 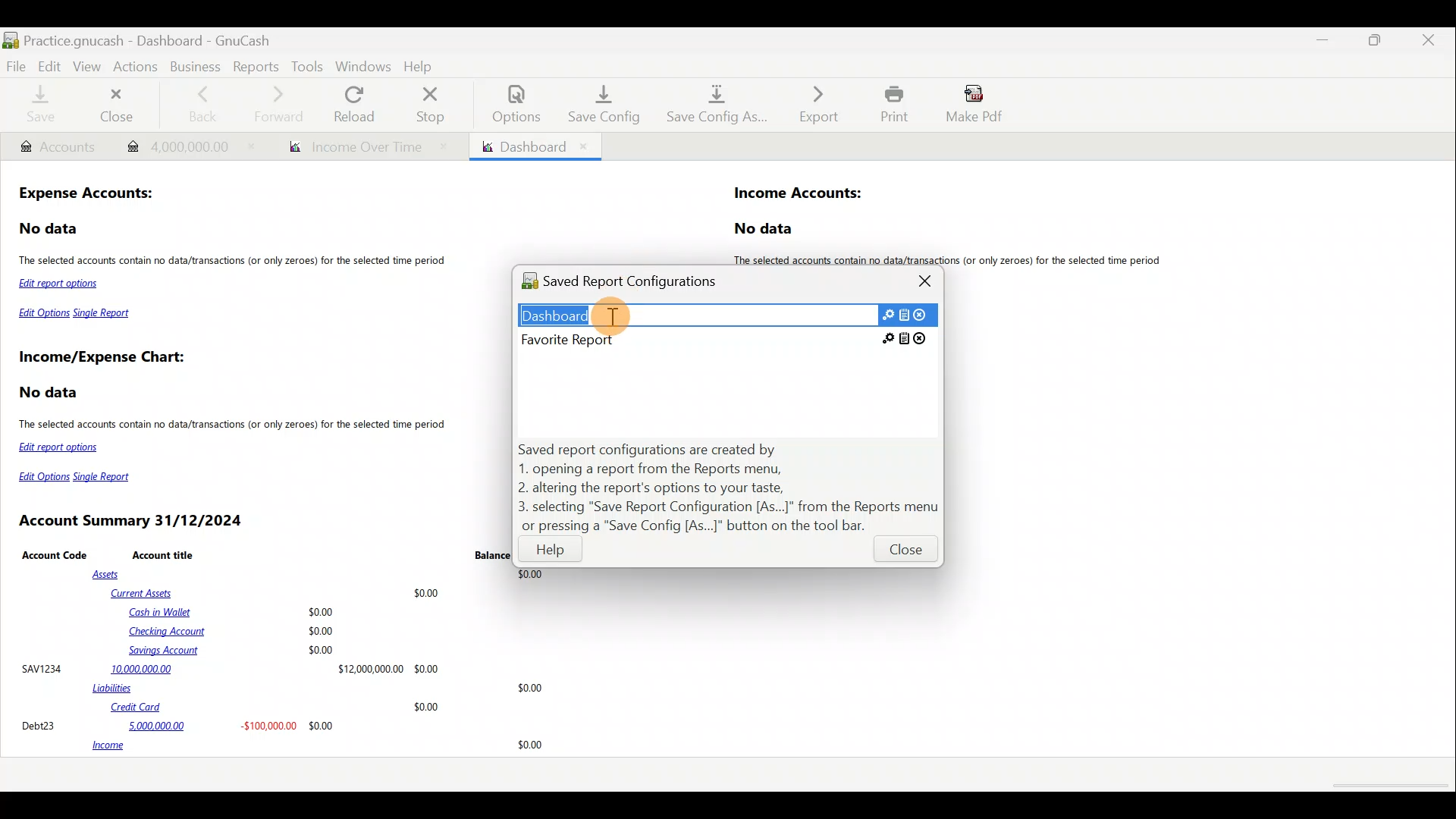 What do you see at coordinates (322, 575) in the screenshot?
I see `Assets $0.00` at bounding box center [322, 575].